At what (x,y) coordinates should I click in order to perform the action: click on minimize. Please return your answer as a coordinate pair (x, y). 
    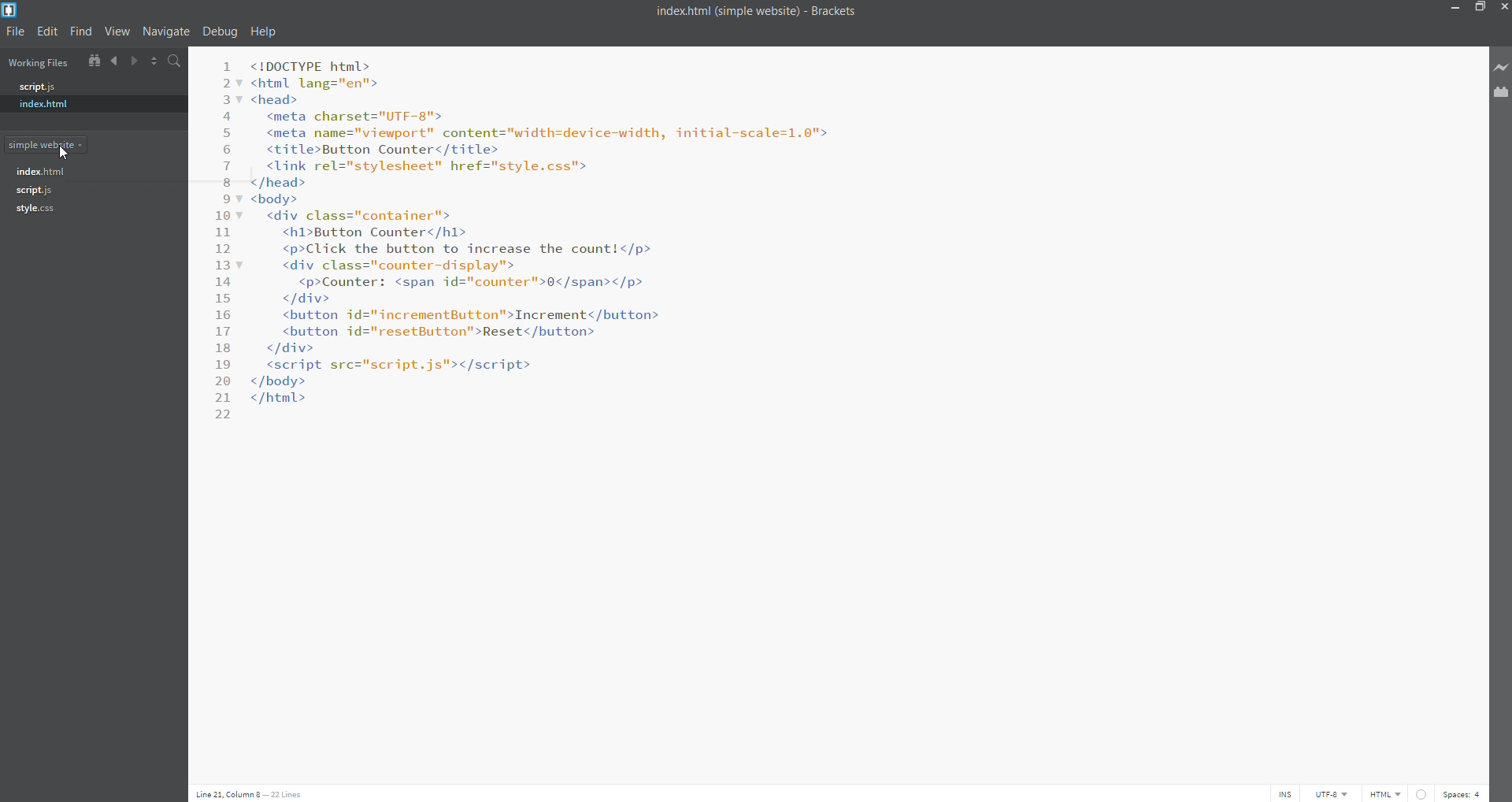
    Looking at the image, I should click on (1451, 9).